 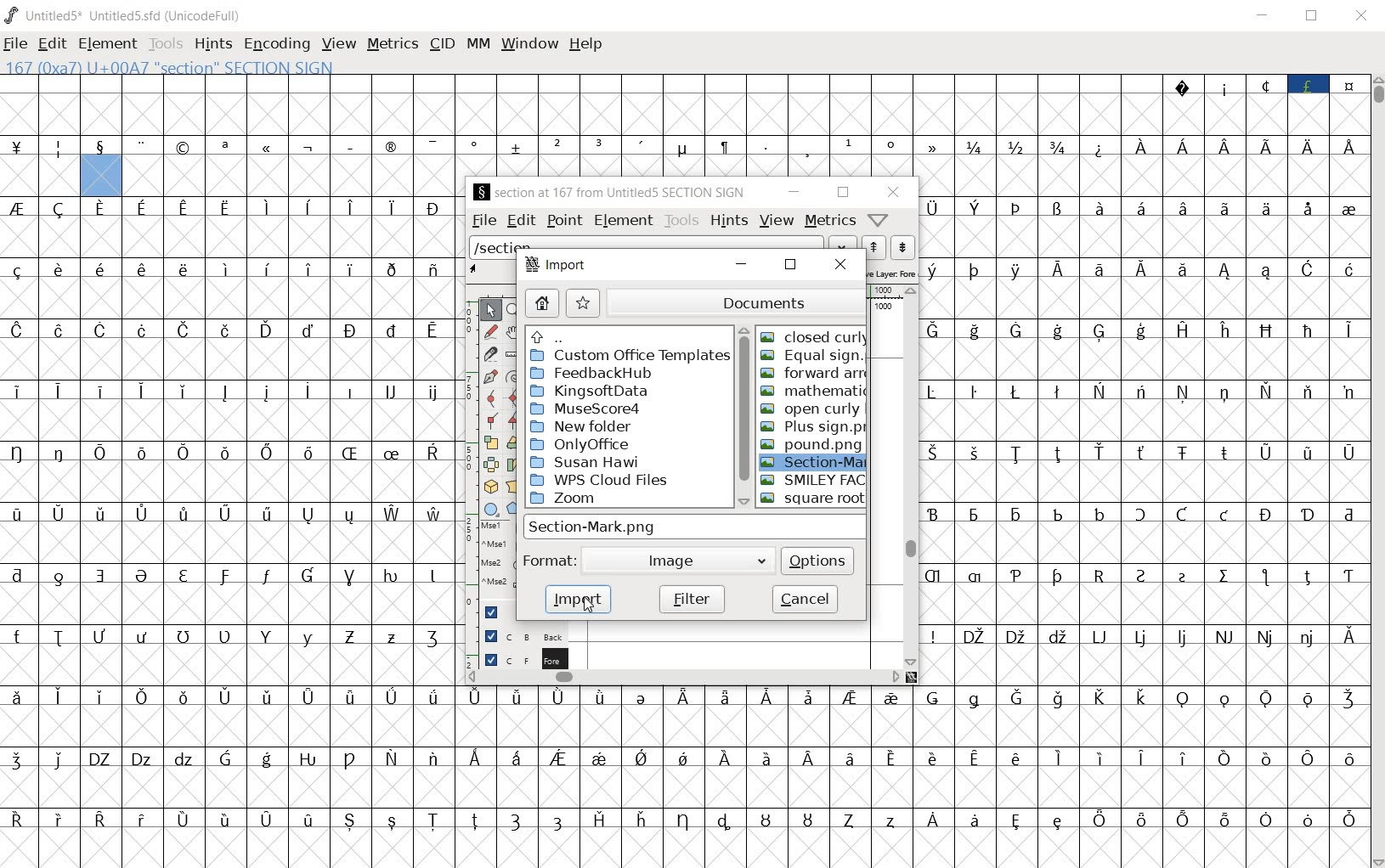 What do you see at coordinates (515, 397) in the screenshot?
I see `add a curve point always either horizontal or vertical` at bounding box center [515, 397].